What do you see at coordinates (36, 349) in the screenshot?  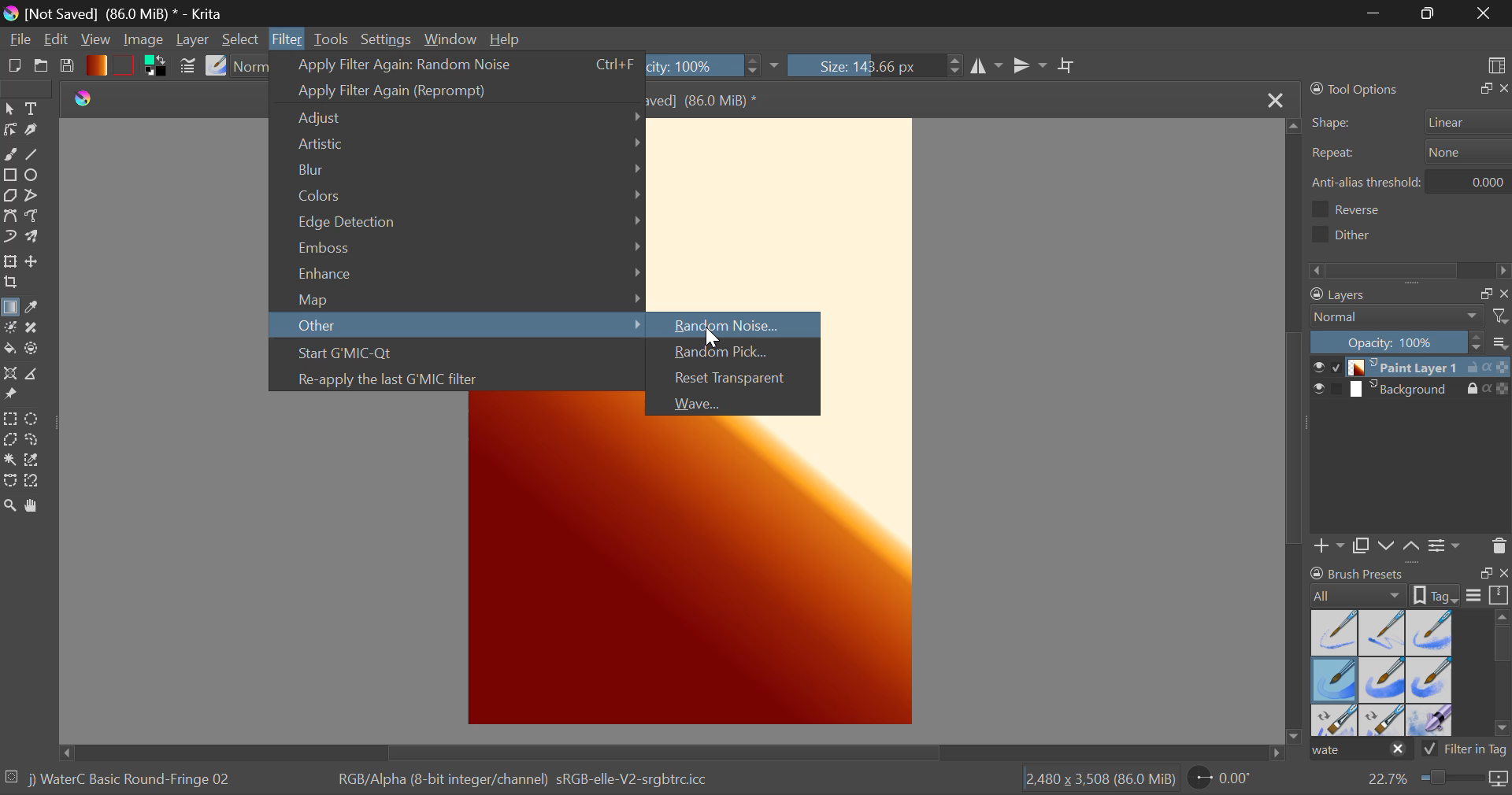 I see `Enclose and Fill` at bounding box center [36, 349].